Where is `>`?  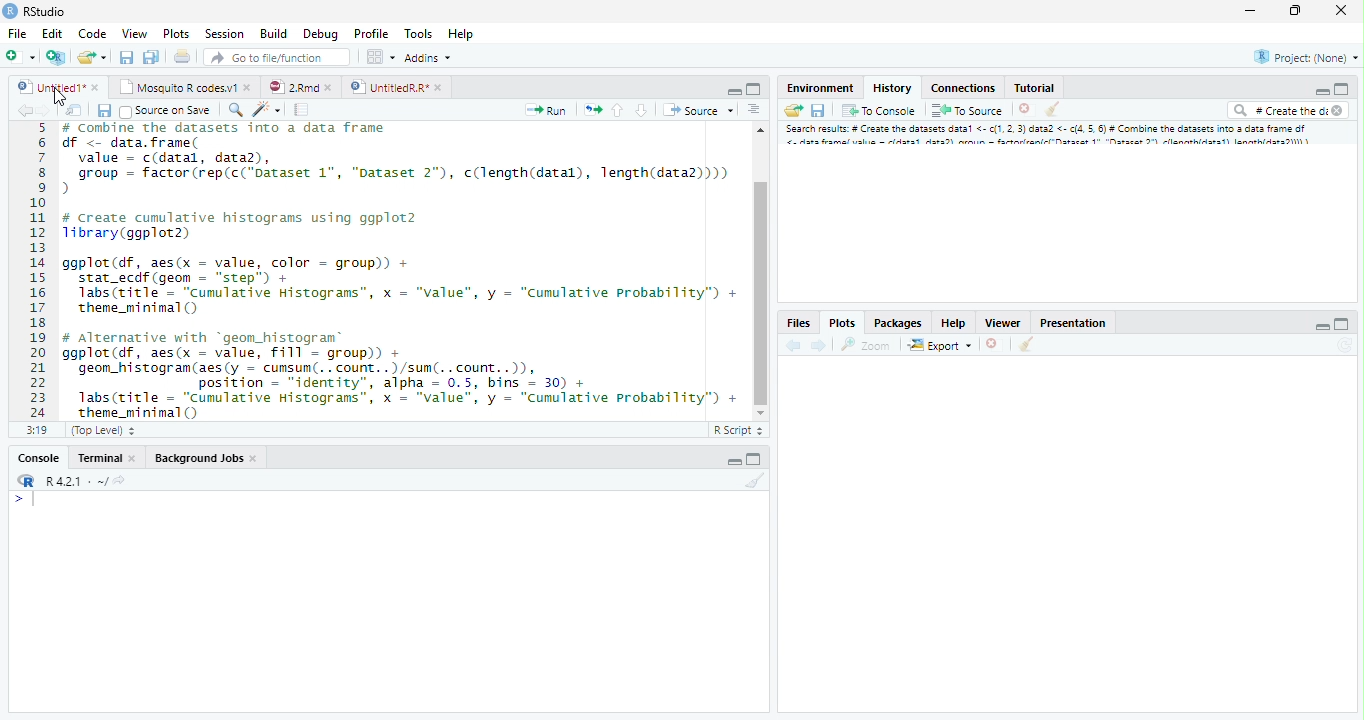
> is located at coordinates (15, 501).